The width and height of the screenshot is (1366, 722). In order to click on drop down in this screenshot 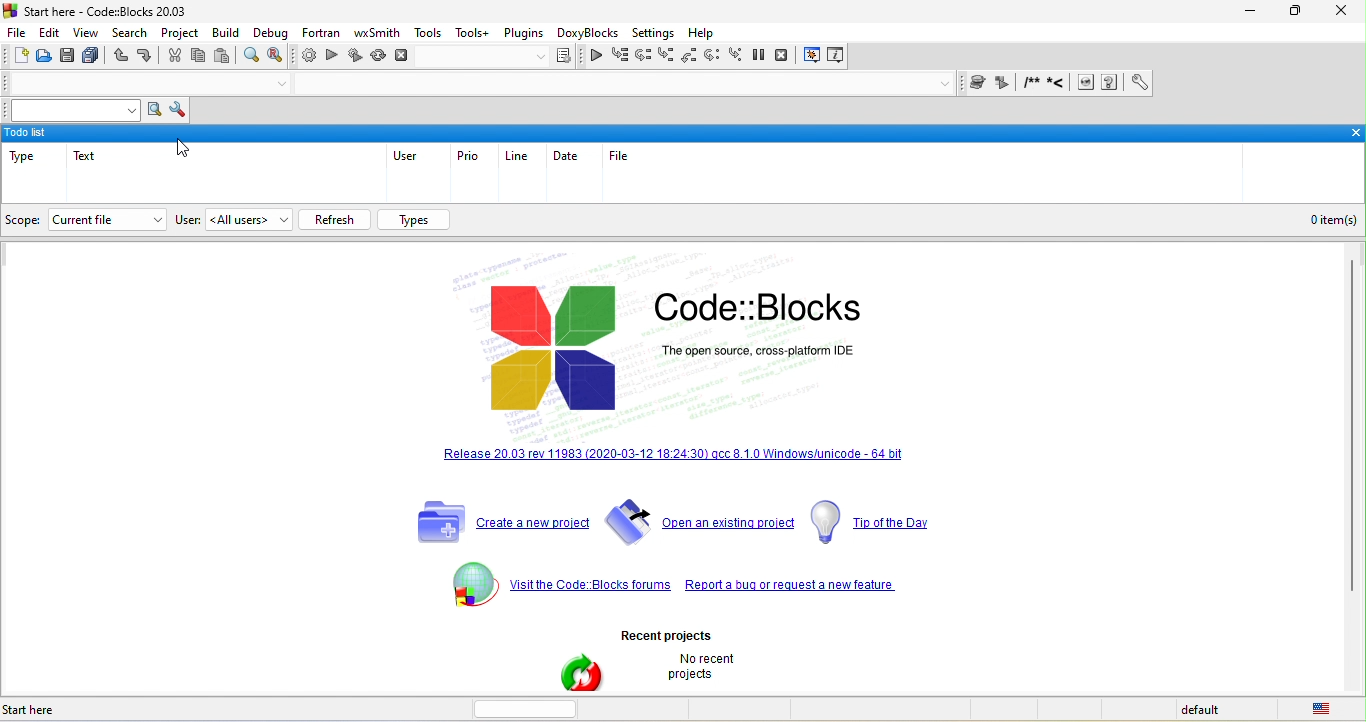, I will do `click(281, 85)`.